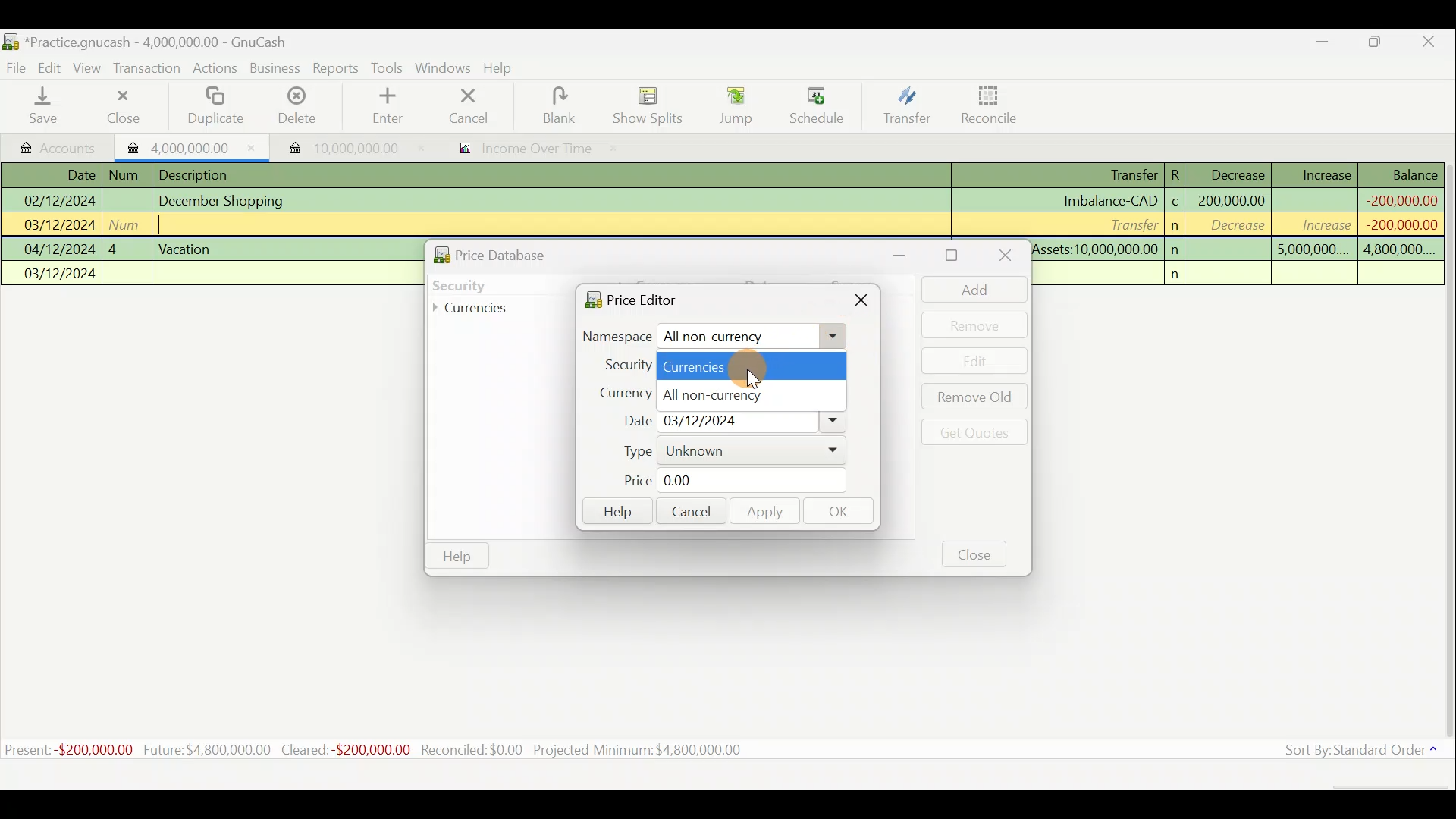 The image size is (1456, 819). I want to click on Jump, so click(730, 106).